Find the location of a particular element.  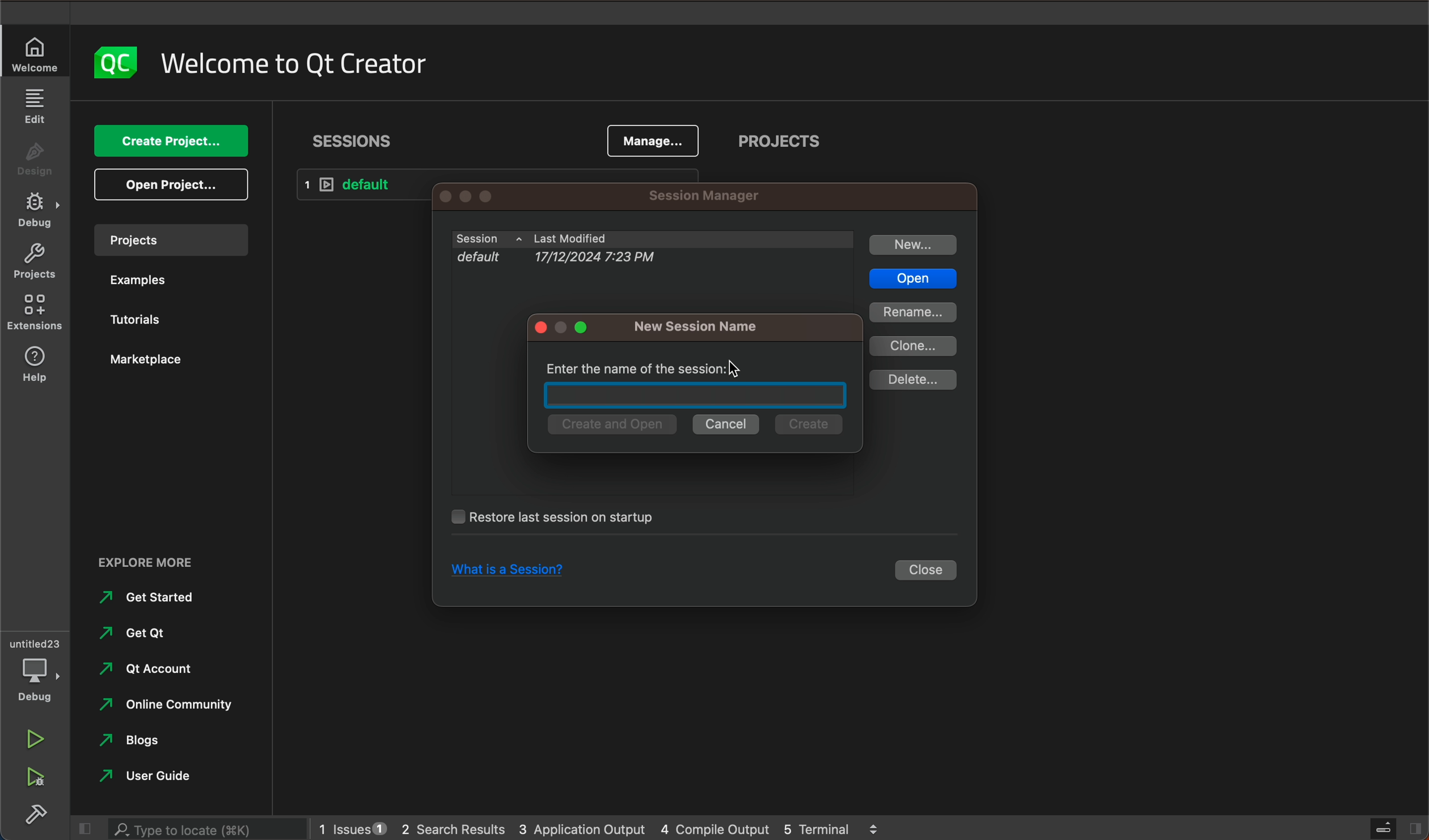

issues is located at coordinates (350, 826).